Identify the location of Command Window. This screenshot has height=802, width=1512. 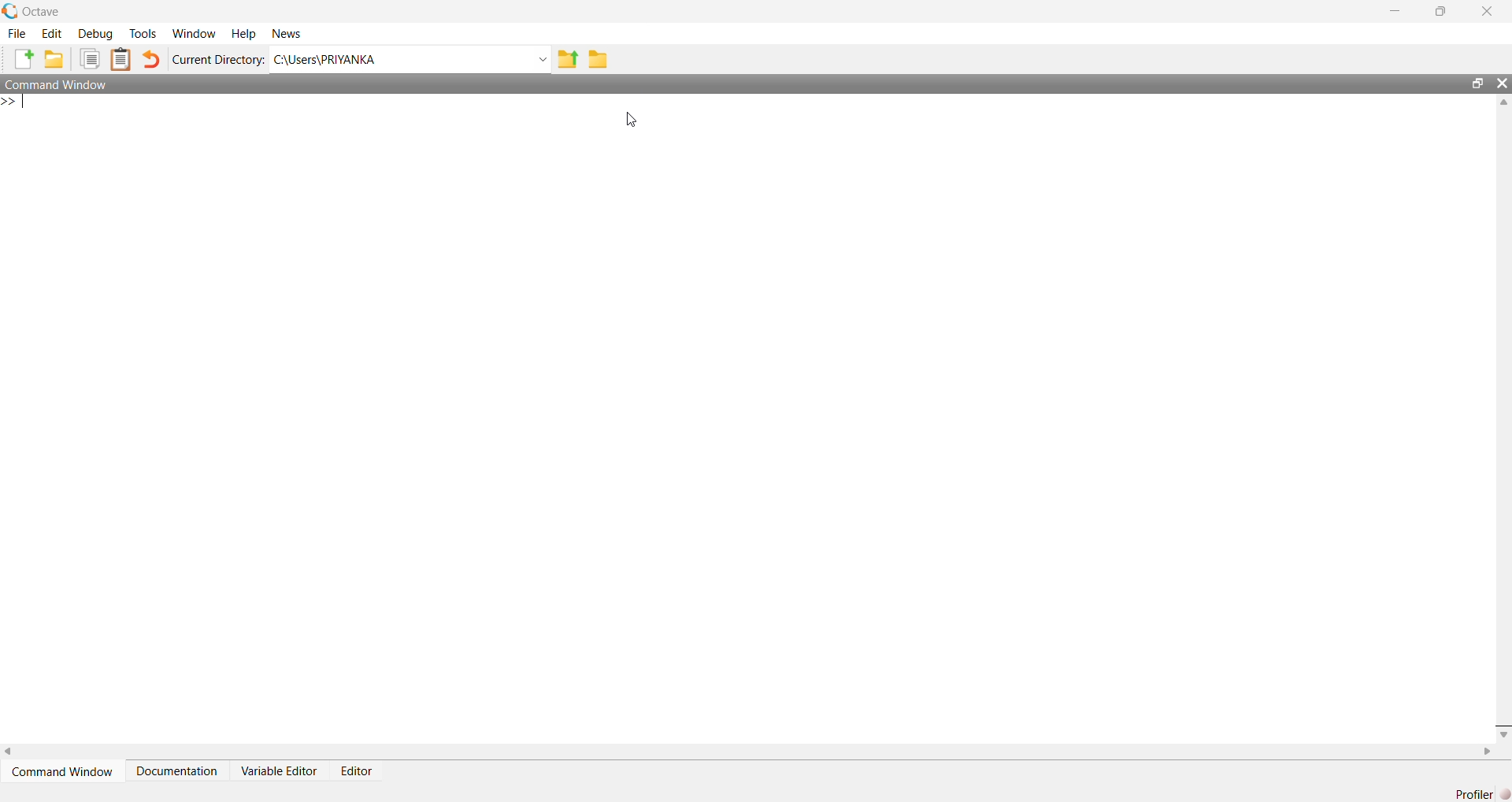
(65, 771).